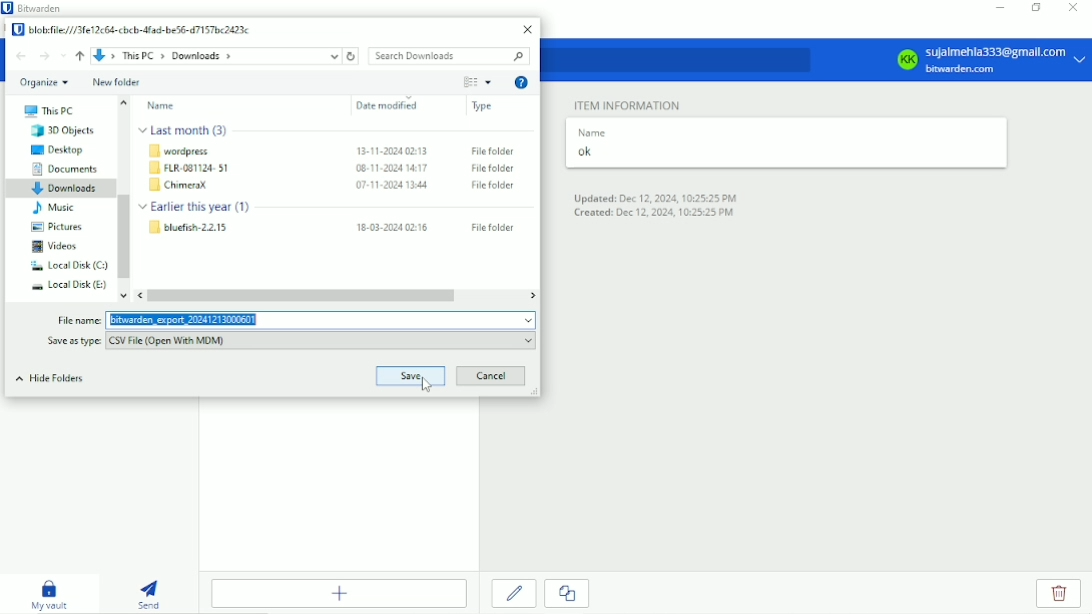  What do you see at coordinates (469, 82) in the screenshot?
I see `Change your view` at bounding box center [469, 82].